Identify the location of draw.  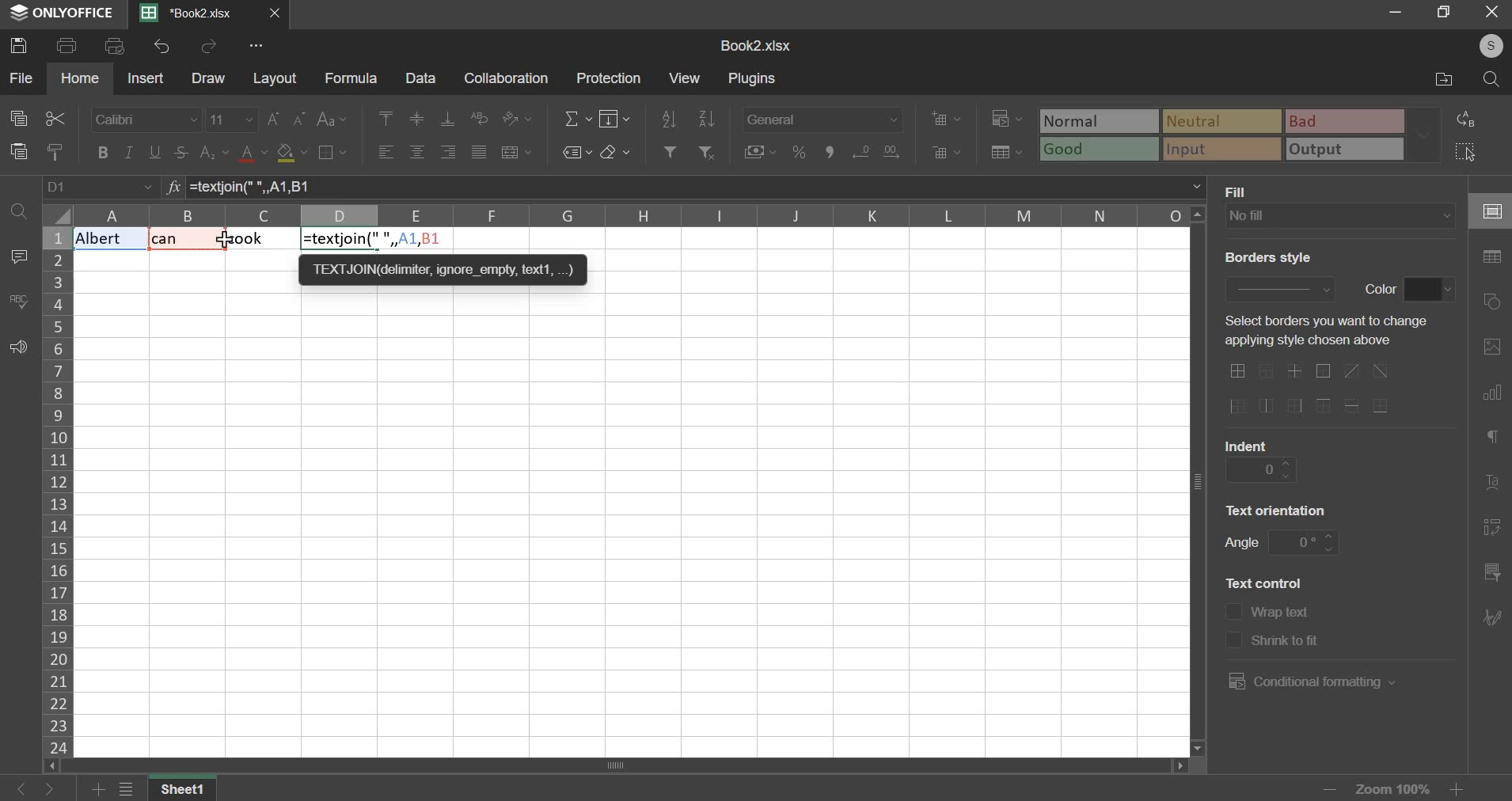
(209, 79).